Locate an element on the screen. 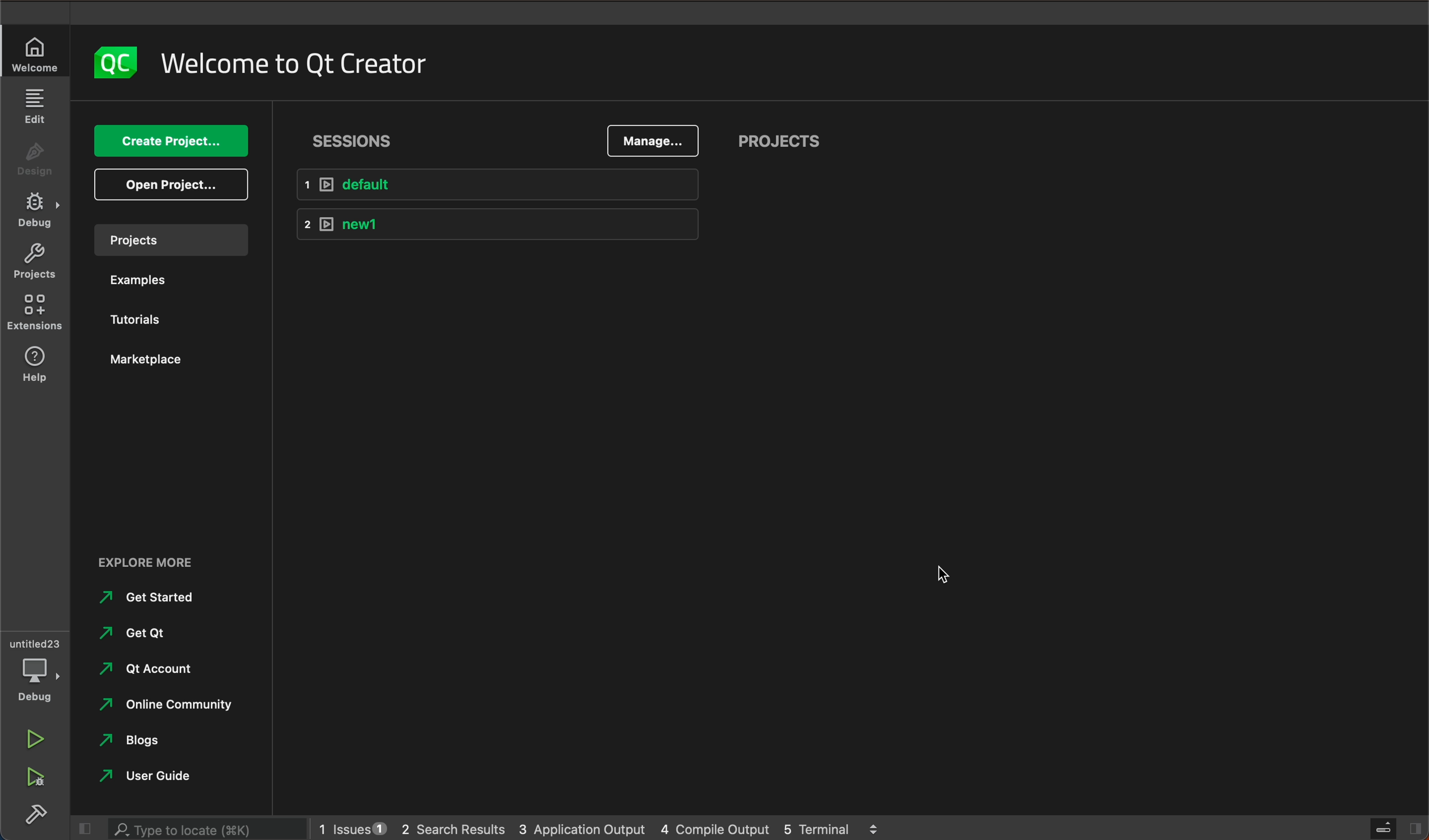 The width and height of the screenshot is (1429, 840). run is located at coordinates (33, 735).